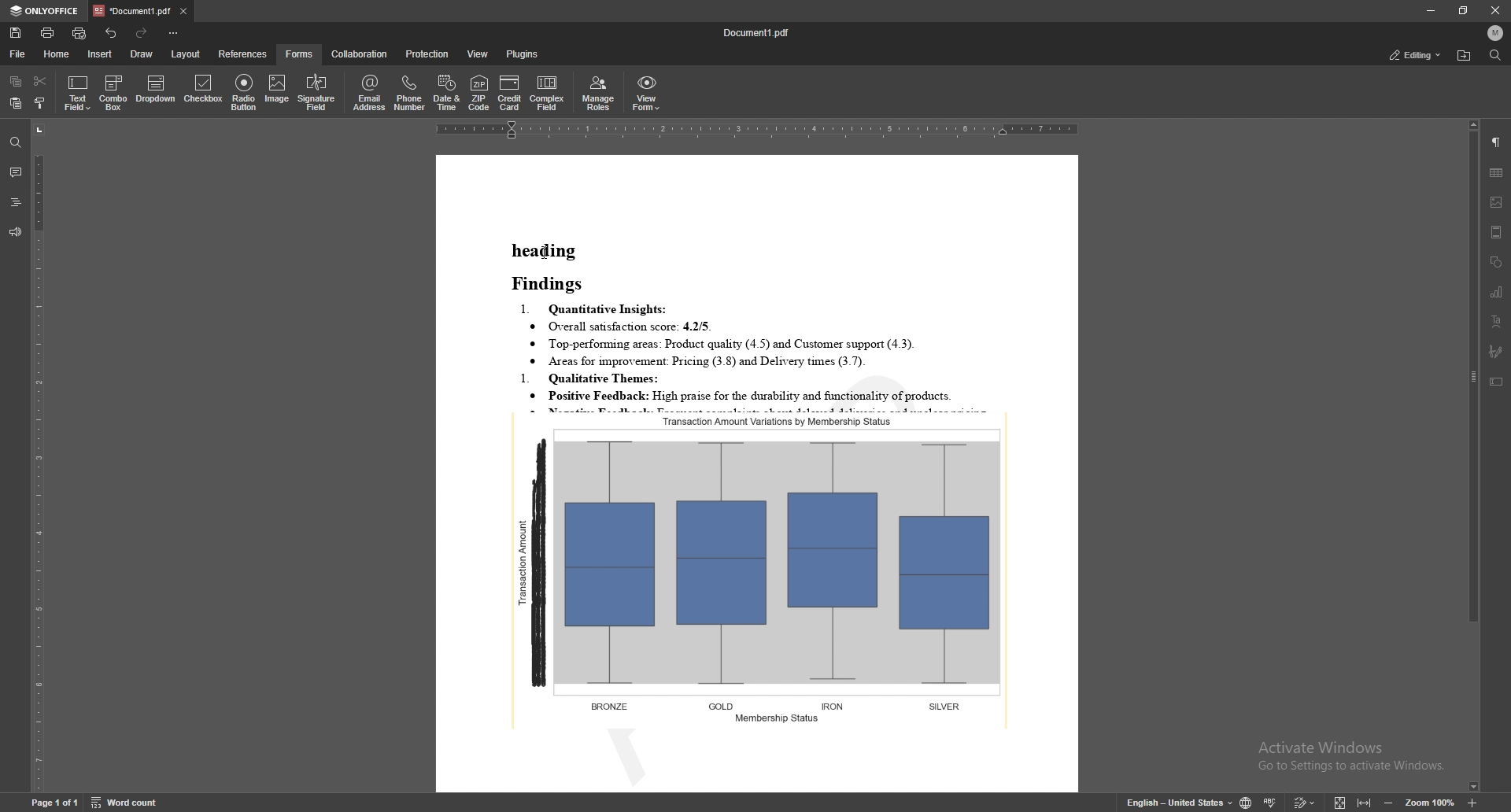 The width and height of the screenshot is (1511, 812). What do you see at coordinates (39, 456) in the screenshot?
I see `vertical scale` at bounding box center [39, 456].